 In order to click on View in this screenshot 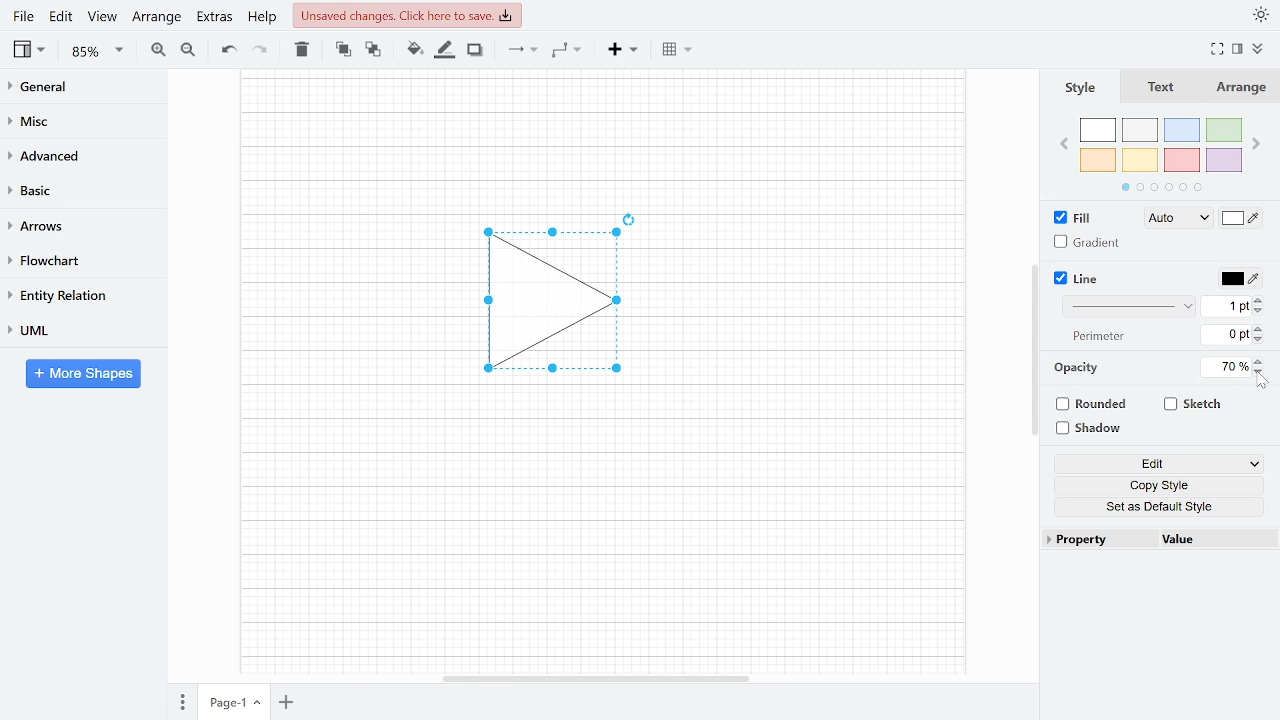, I will do `click(102, 16)`.